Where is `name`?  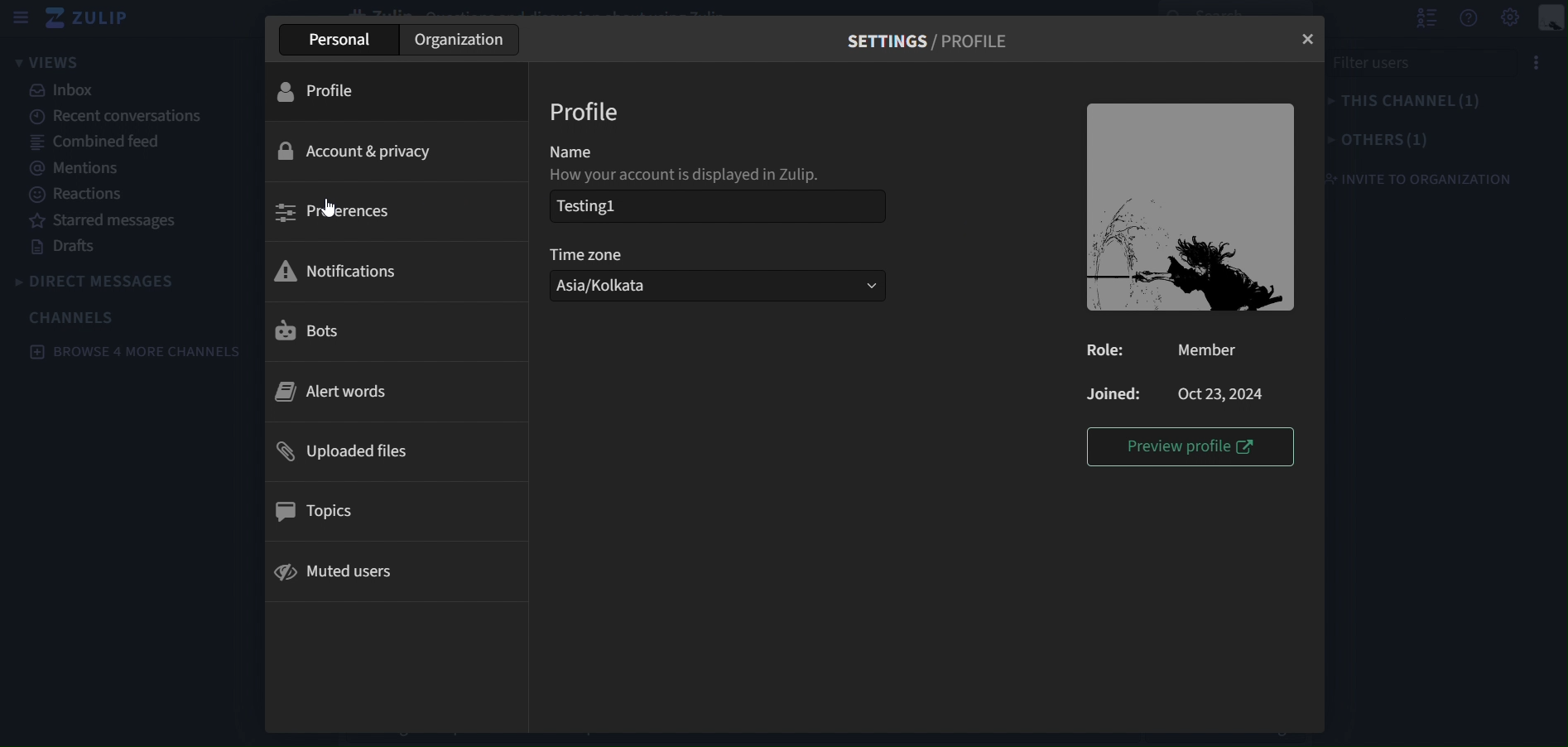
name is located at coordinates (597, 155).